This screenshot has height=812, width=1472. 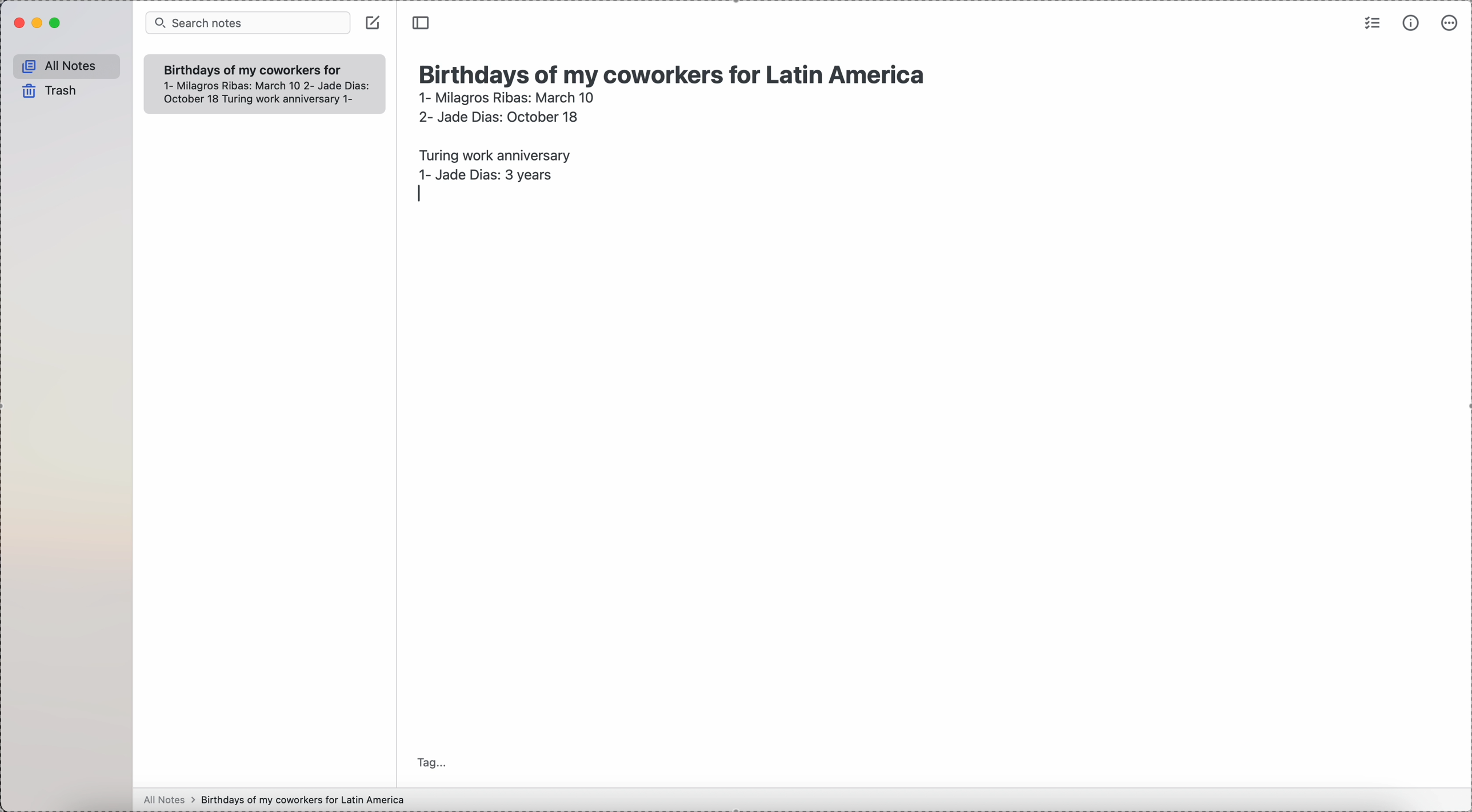 What do you see at coordinates (247, 23) in the screenshot?
I see `search bar` at bounding box center [247, 23].